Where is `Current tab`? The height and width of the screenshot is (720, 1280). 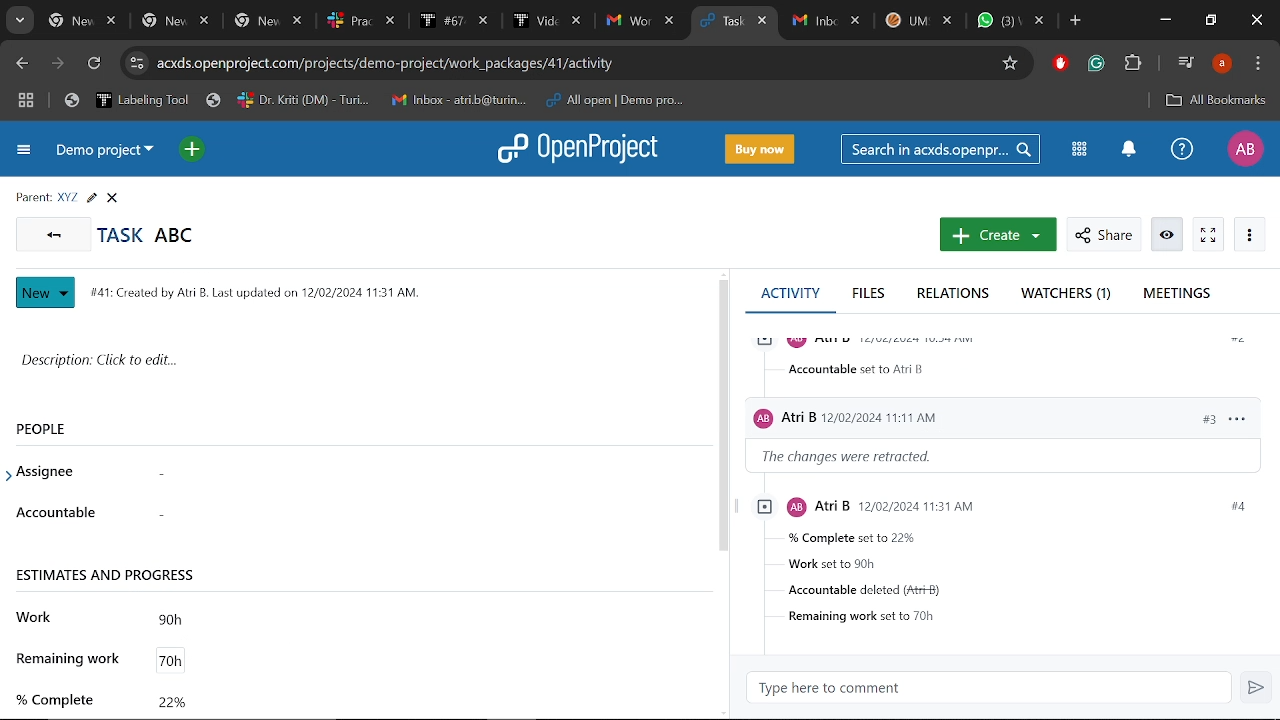 Current tab is located at coordinates (718, 22).